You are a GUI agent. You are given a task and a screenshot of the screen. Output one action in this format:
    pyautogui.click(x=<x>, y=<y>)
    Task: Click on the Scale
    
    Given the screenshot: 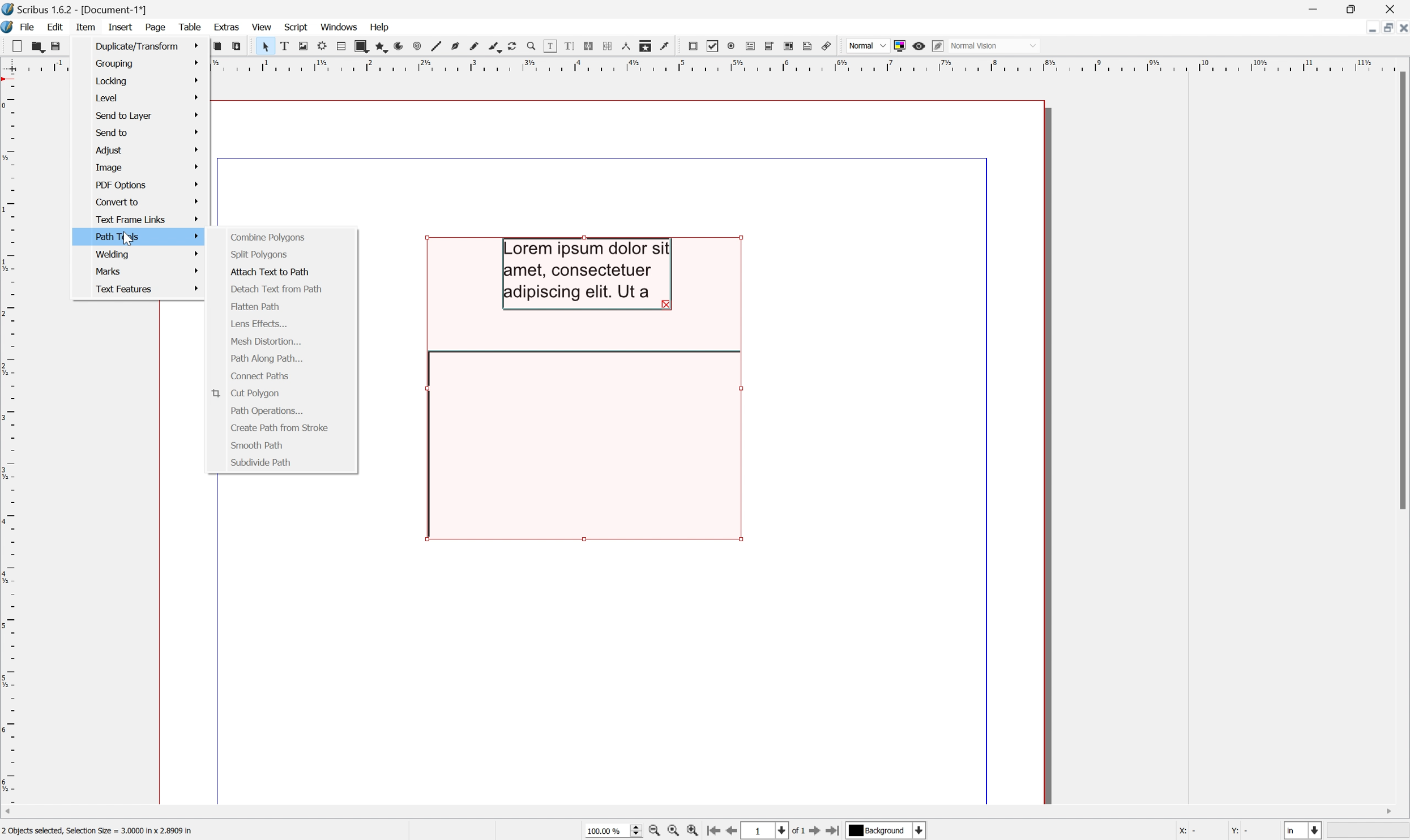 What is the action you would take?
    pyautogui.click(x=811, y=64)
    